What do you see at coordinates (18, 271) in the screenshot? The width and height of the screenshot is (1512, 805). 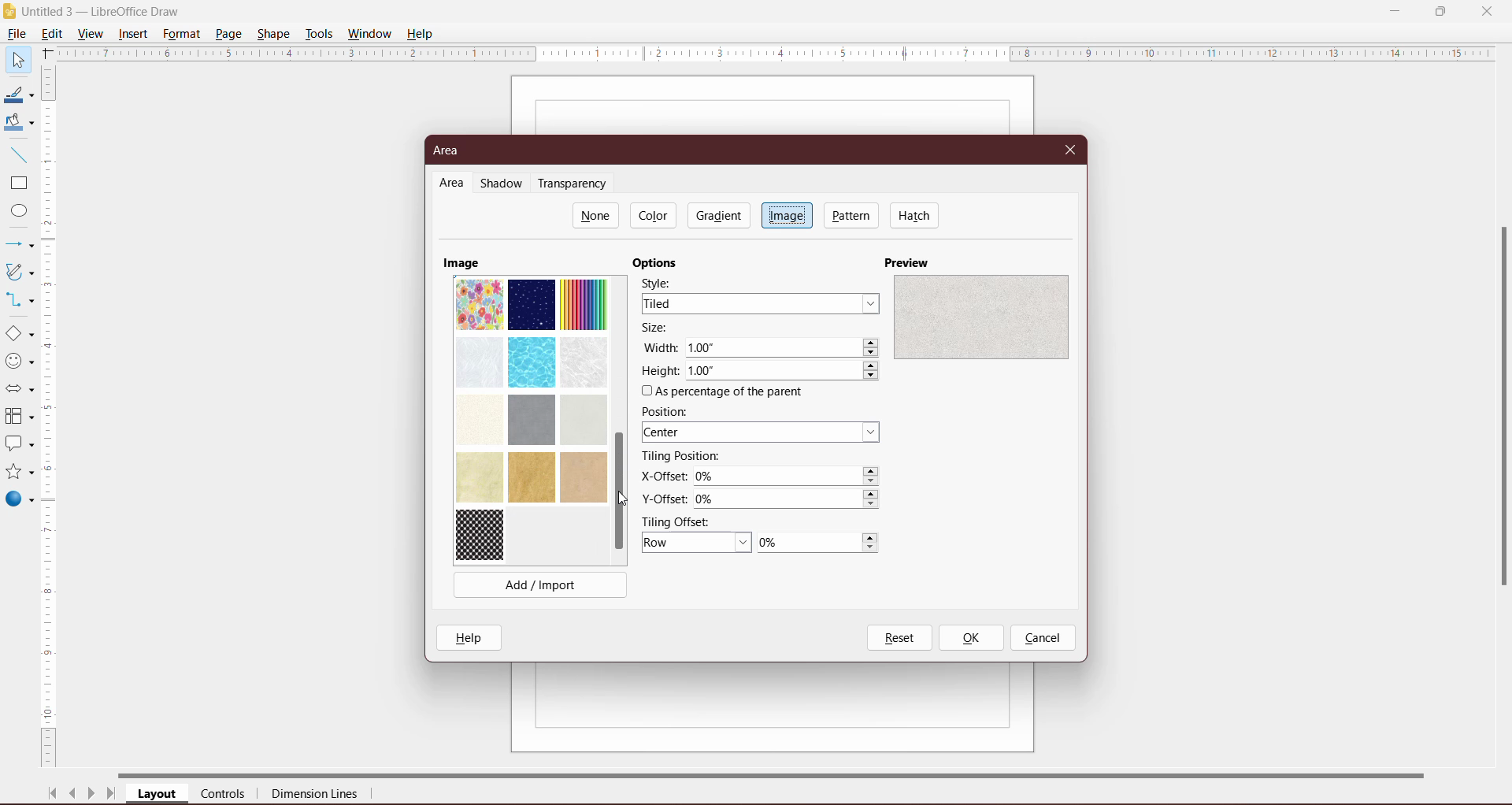 I see `Curves and Polygons` at bounding box center [18, 271].